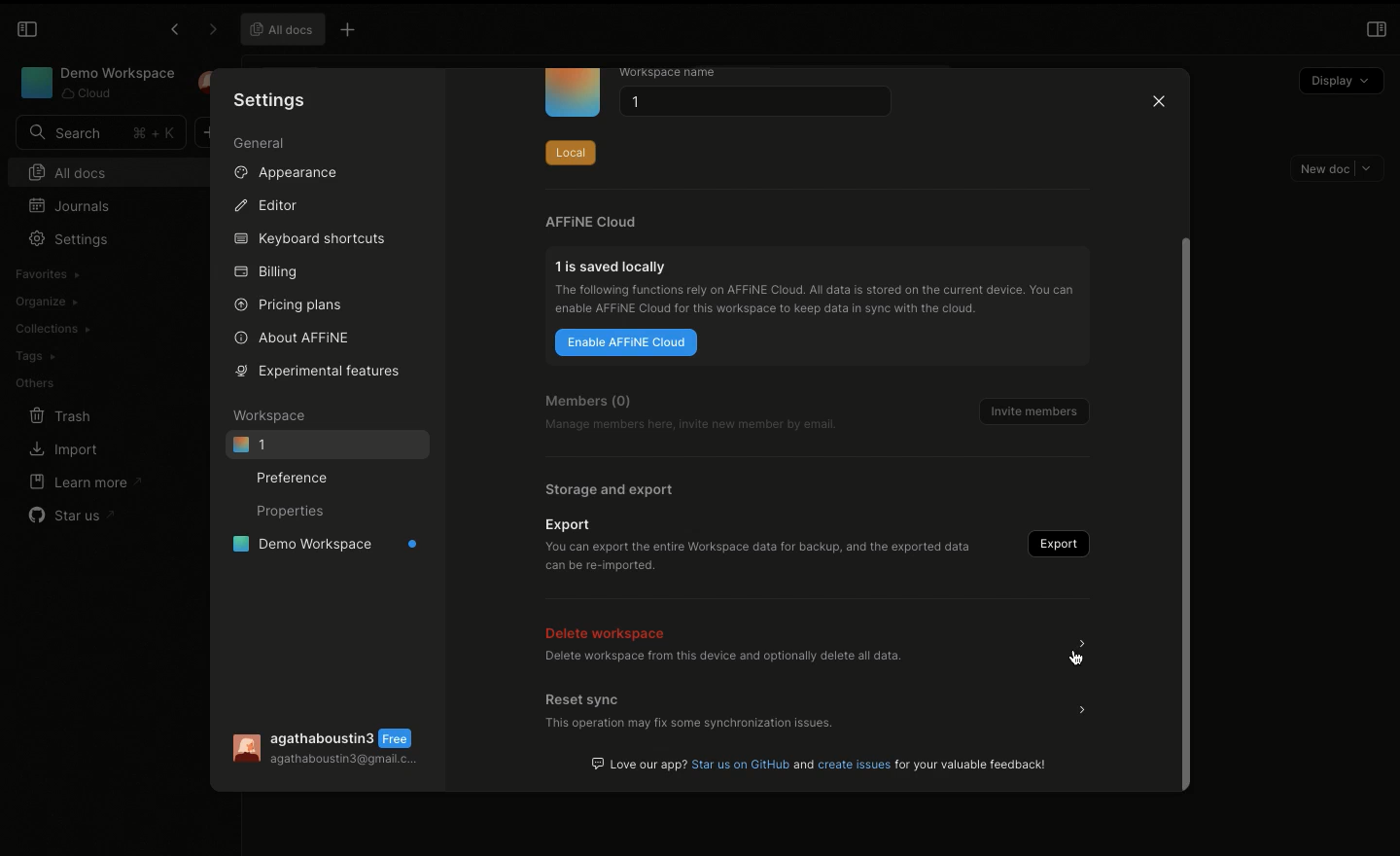  Describe the element at coordinates (244, 749) in the screenshot. I see `User Image` at that location.